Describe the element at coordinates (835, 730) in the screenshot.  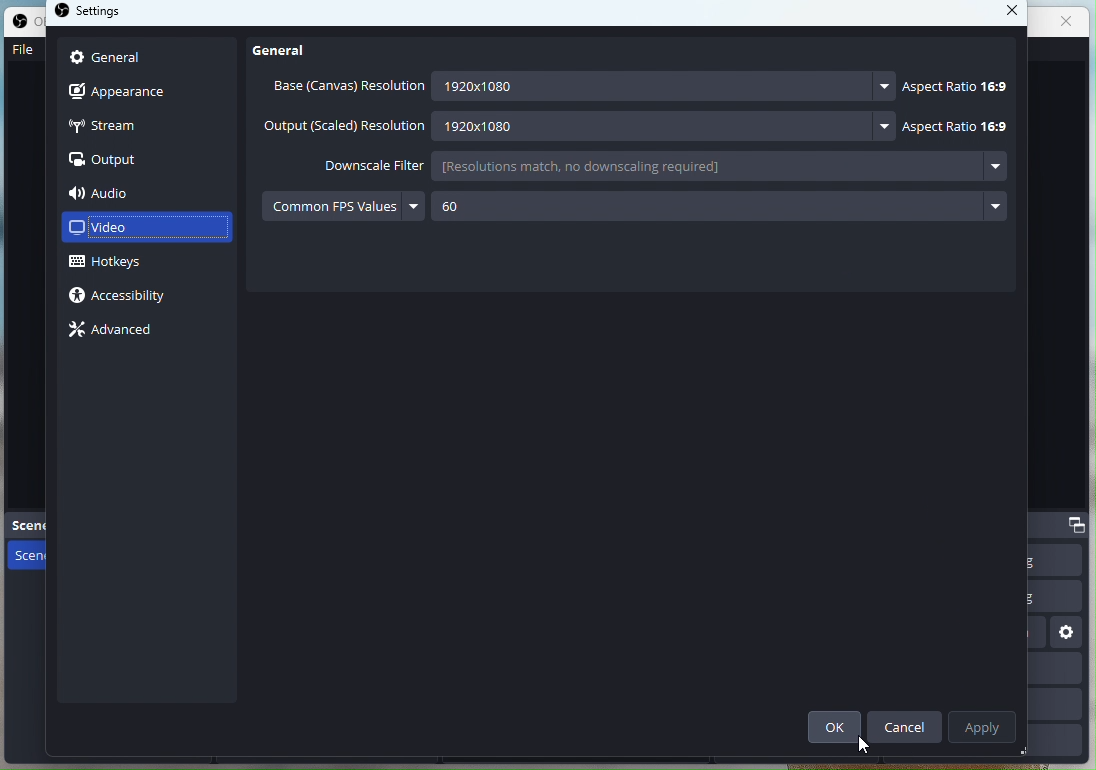
I see `ok` at that location.